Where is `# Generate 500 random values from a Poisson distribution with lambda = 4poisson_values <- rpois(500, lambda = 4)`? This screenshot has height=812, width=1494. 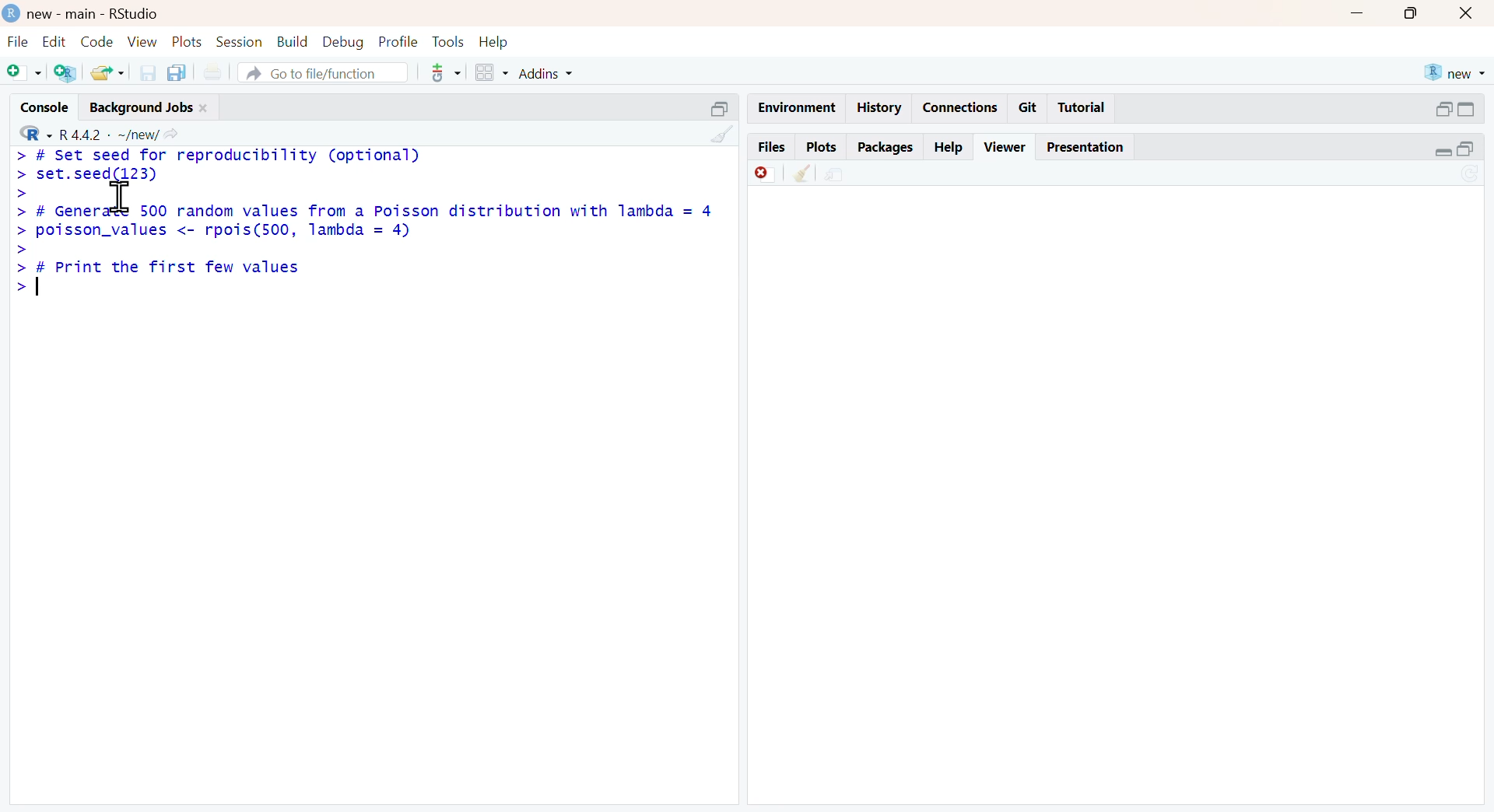 # Generate 500 random values from a Poisson distribution with lambda = 4poisson_values <- rpois(500, lambda = 4) is located at coordinates (373, 222).